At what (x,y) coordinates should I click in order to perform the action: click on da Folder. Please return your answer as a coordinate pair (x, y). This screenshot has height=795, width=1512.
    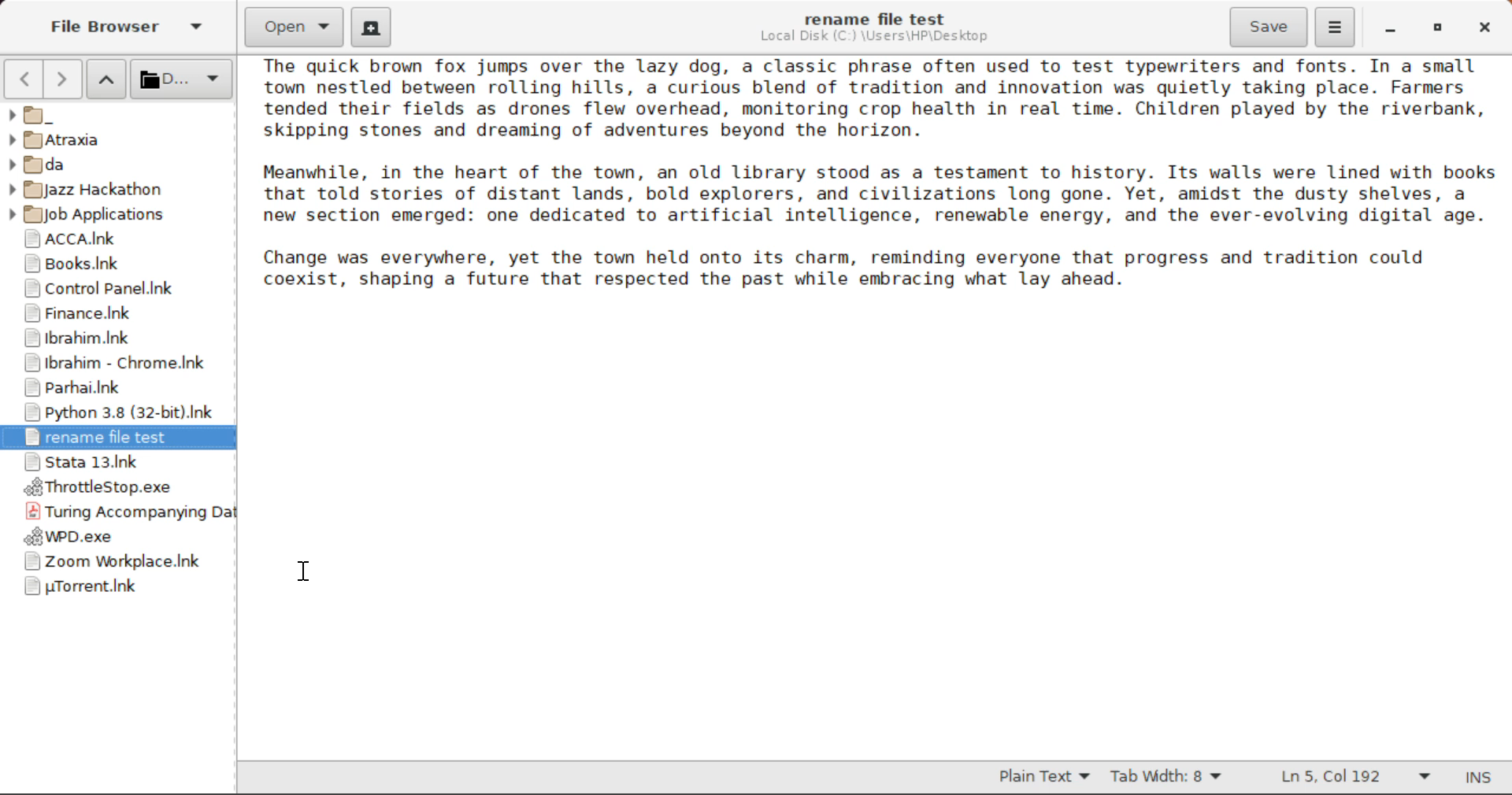
    Looking at the image, I should click on (119, 162).